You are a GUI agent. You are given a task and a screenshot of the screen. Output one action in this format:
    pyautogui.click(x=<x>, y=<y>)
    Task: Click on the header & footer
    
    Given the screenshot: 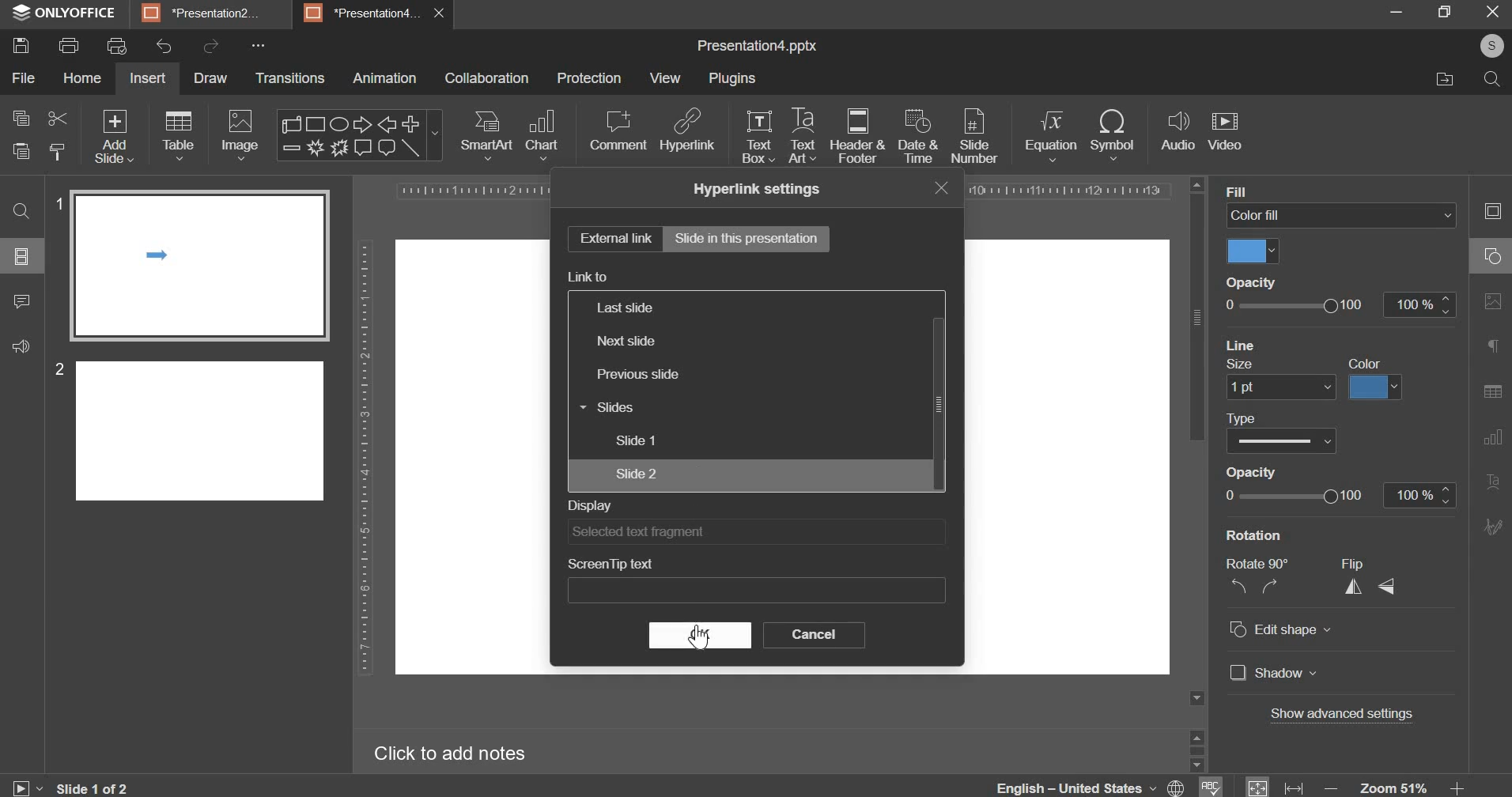 What is the action you would take?
    pyautogui.click(x=857, y=137)
    